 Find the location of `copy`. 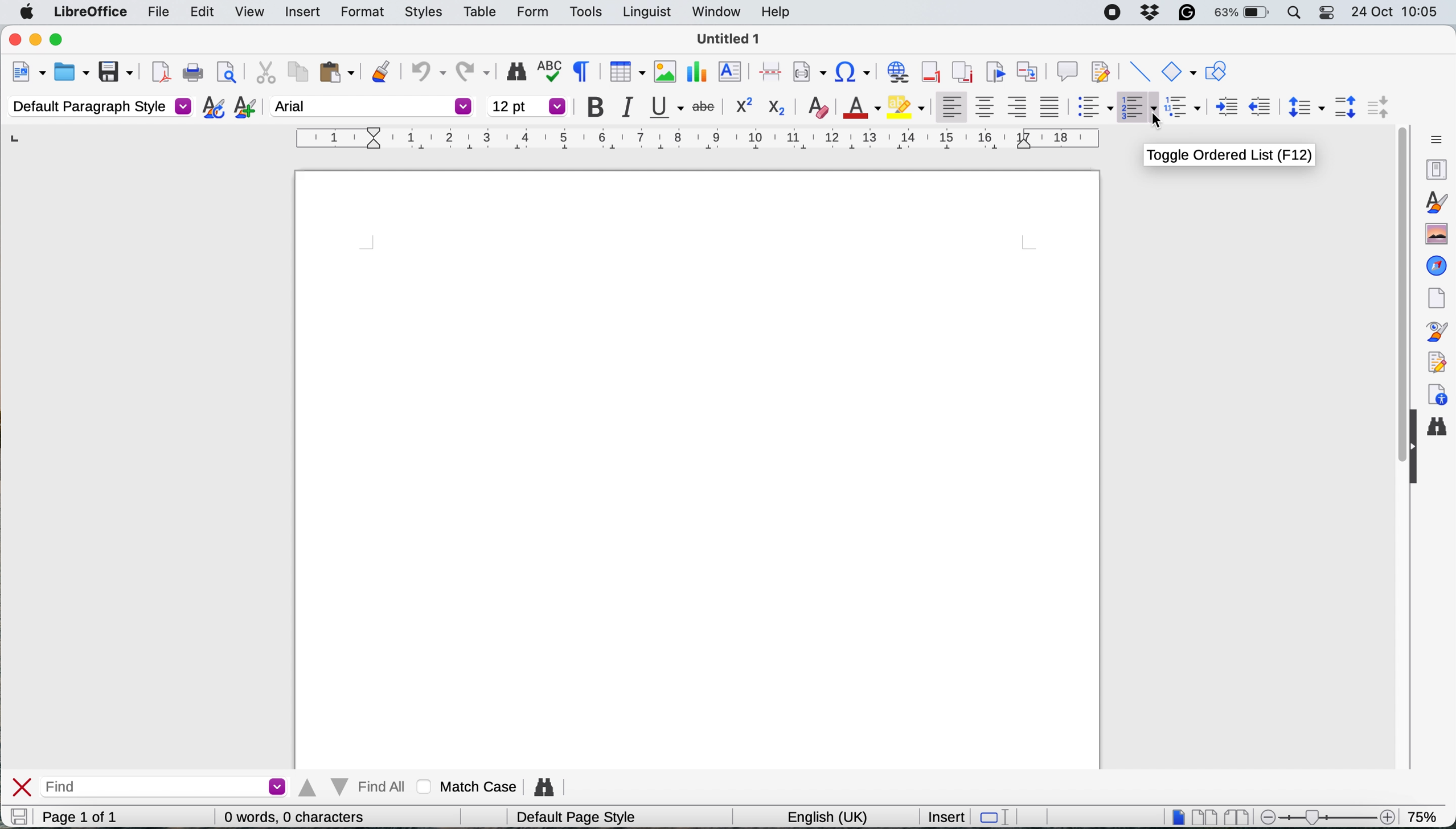

copy is located at coordinates (296, 71).